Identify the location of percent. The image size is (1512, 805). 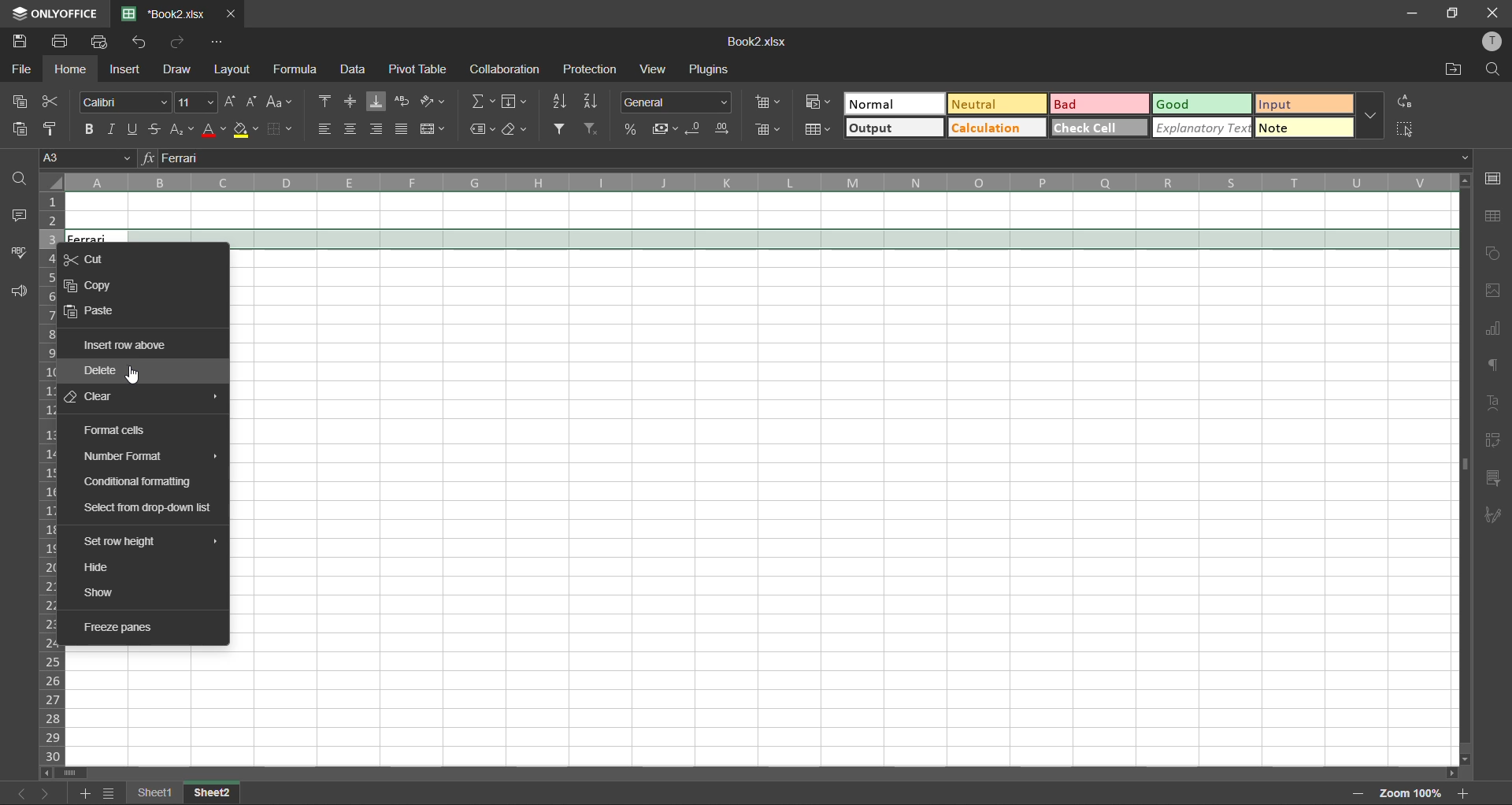
(632, 128).